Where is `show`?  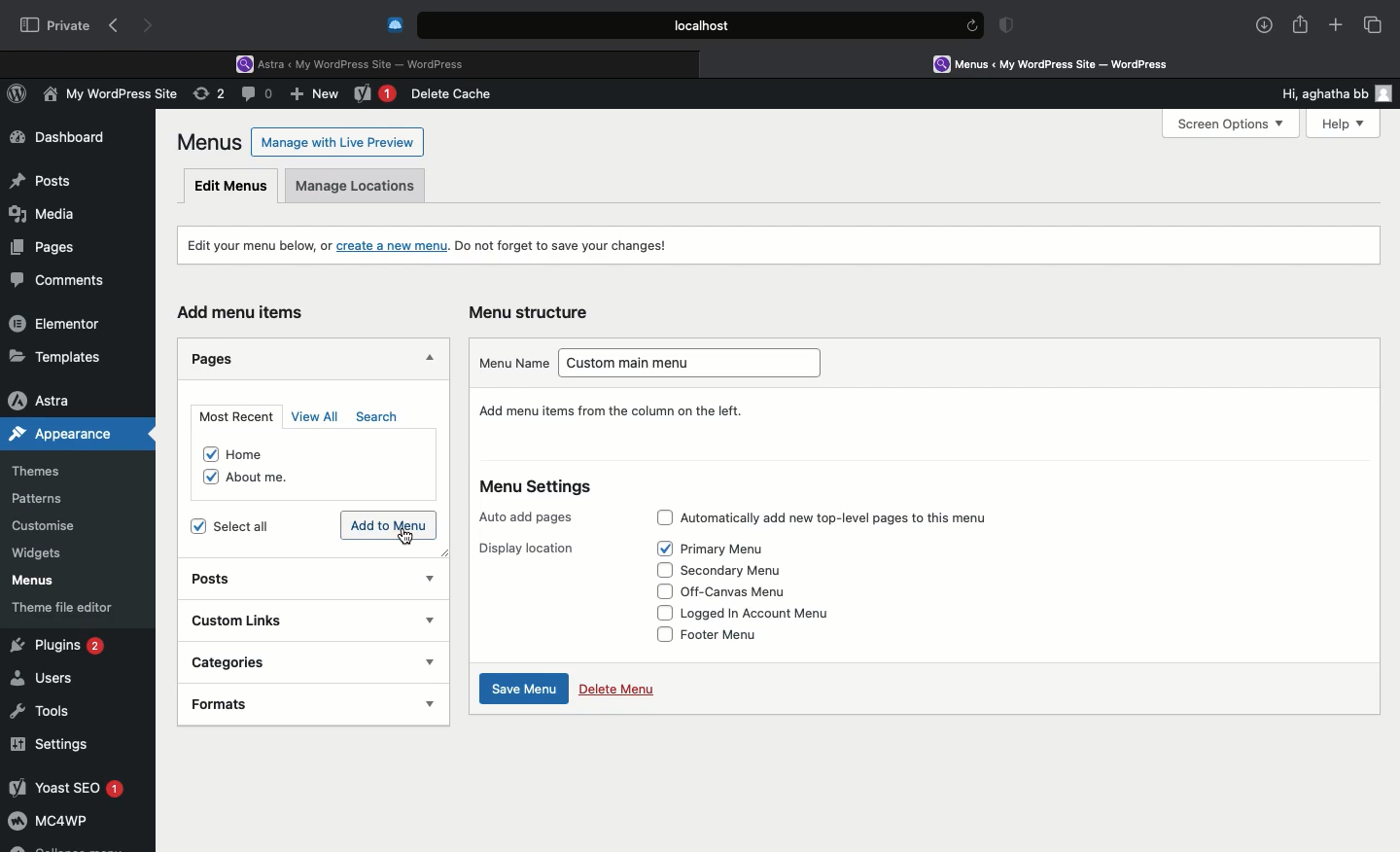 show is located at coordinates (431, 662).